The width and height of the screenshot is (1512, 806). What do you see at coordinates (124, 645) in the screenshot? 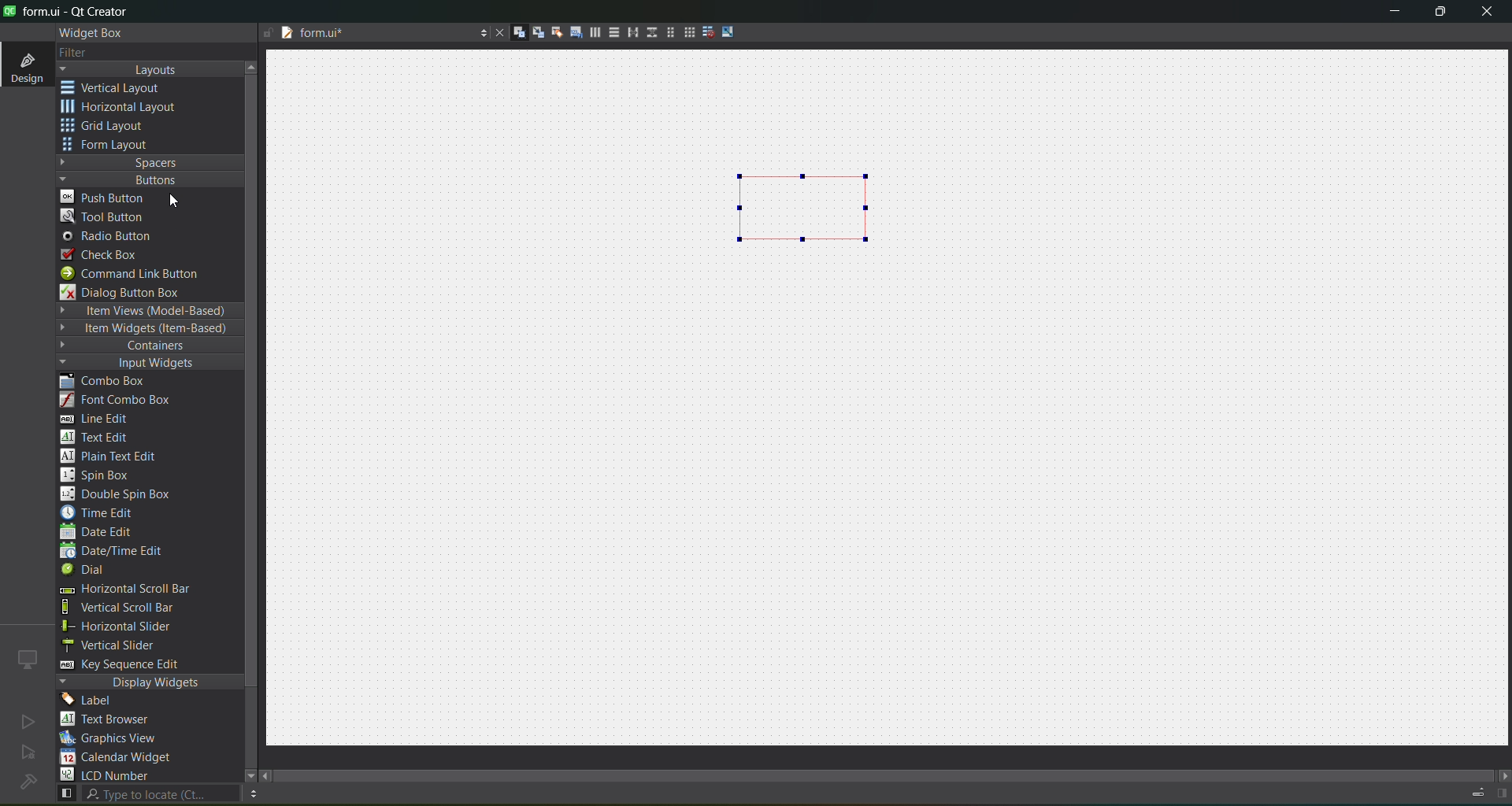
I see `vertical slider` at bounding box center [124, 645].